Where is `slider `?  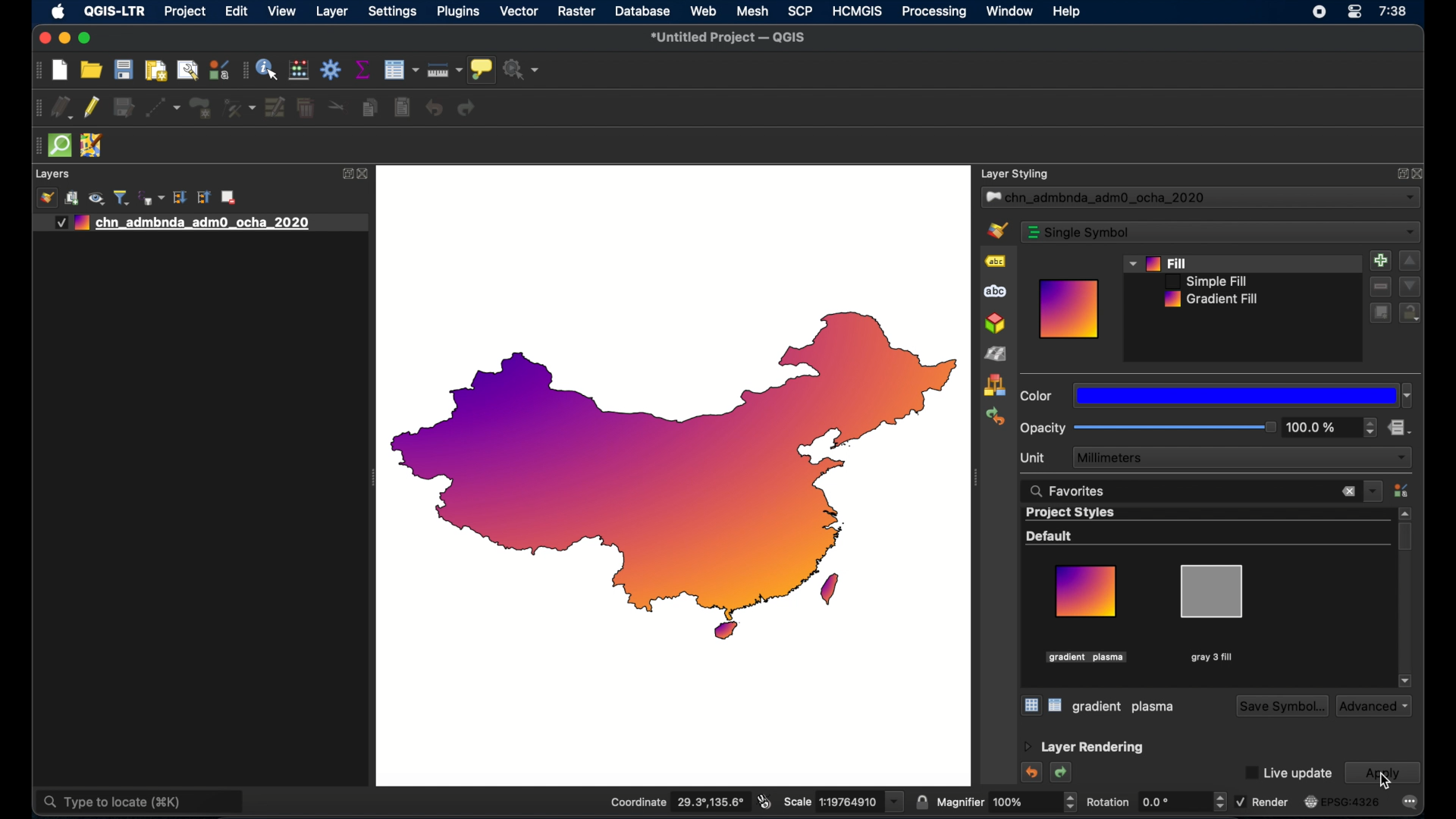
slider  is located at coordinates (1176, 427).